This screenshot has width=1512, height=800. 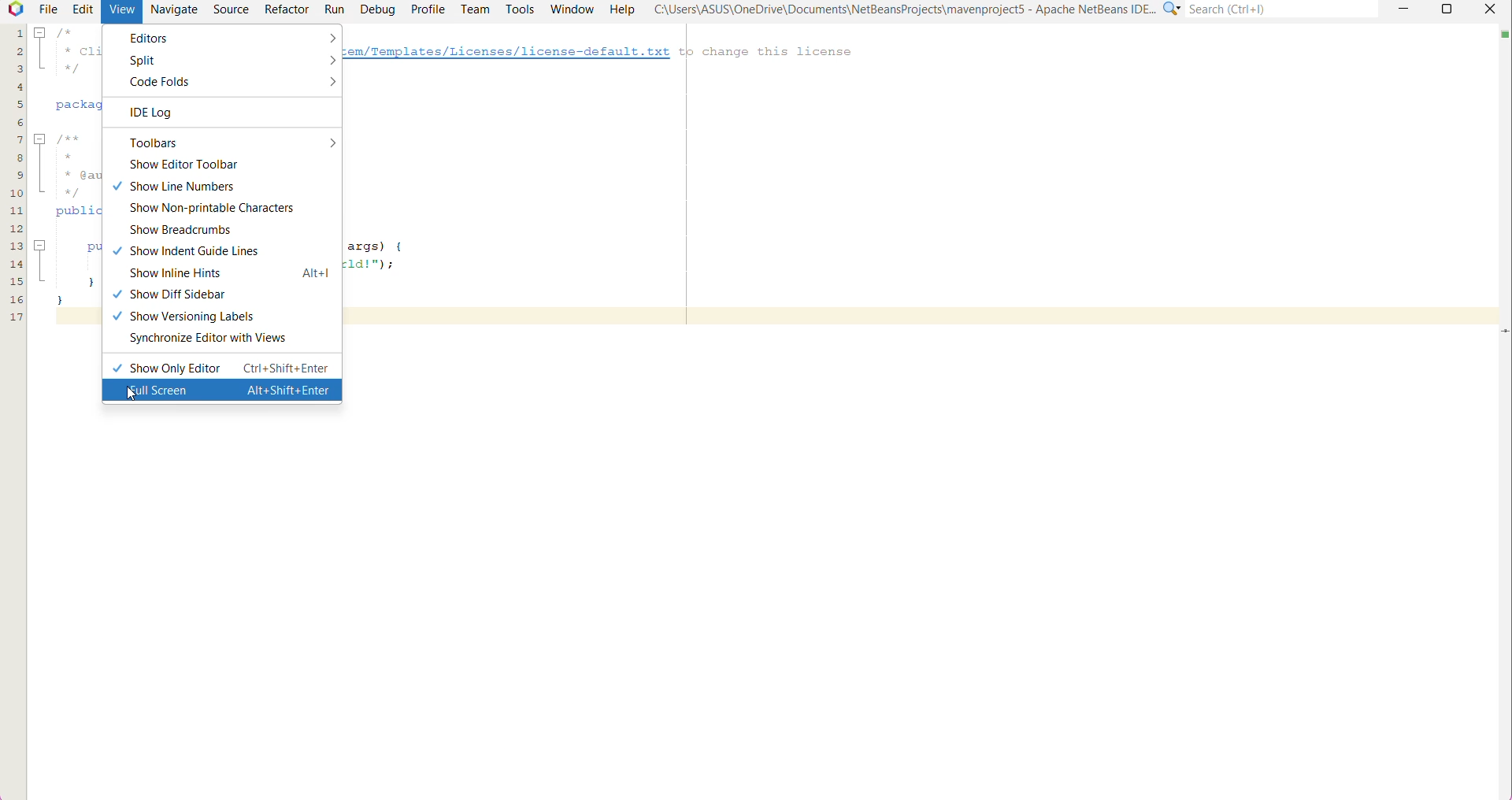 I want to click on Editors, so click(x=224, y=36).